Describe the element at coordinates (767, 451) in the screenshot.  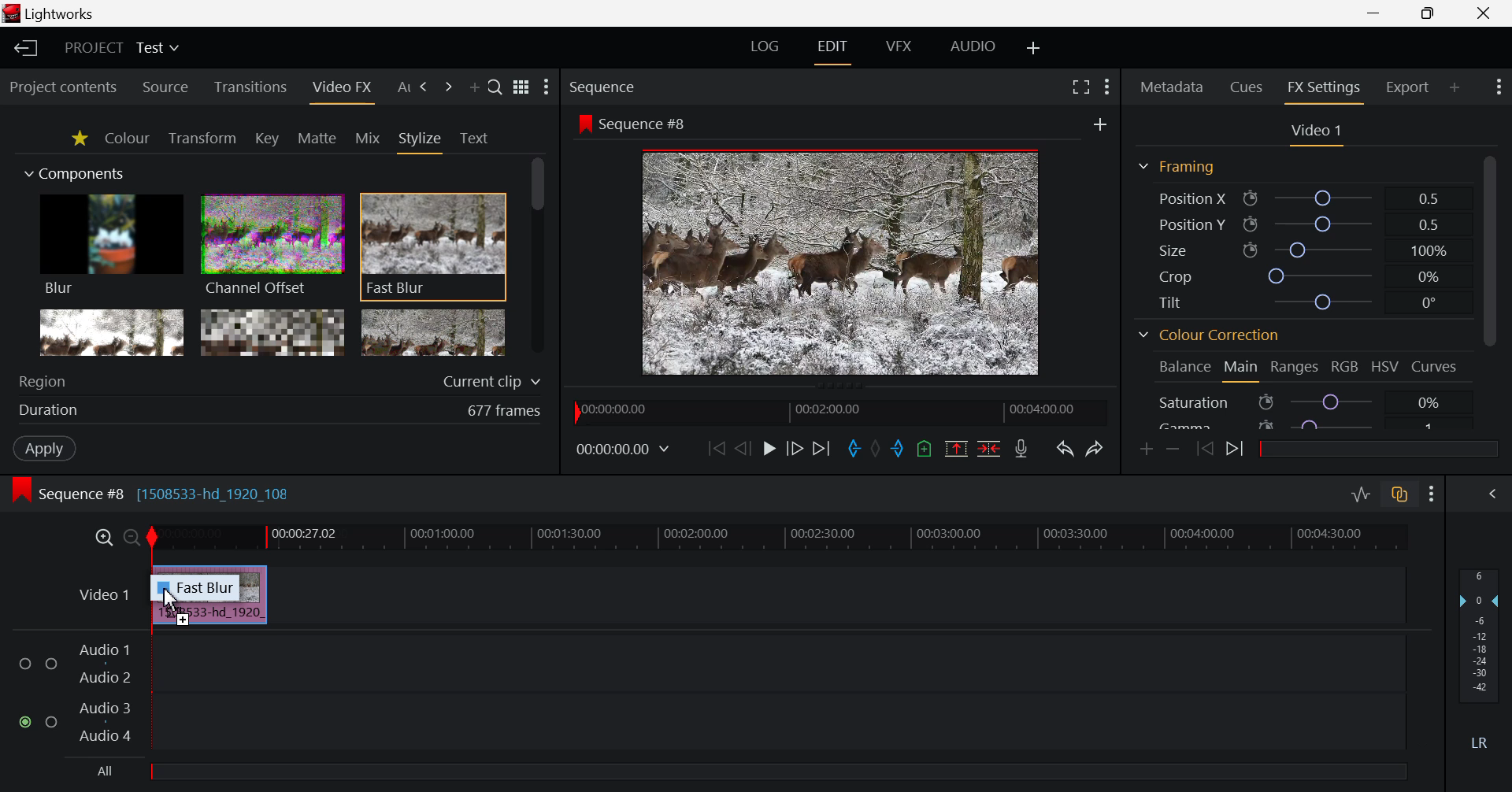
I see `Play` at that location.